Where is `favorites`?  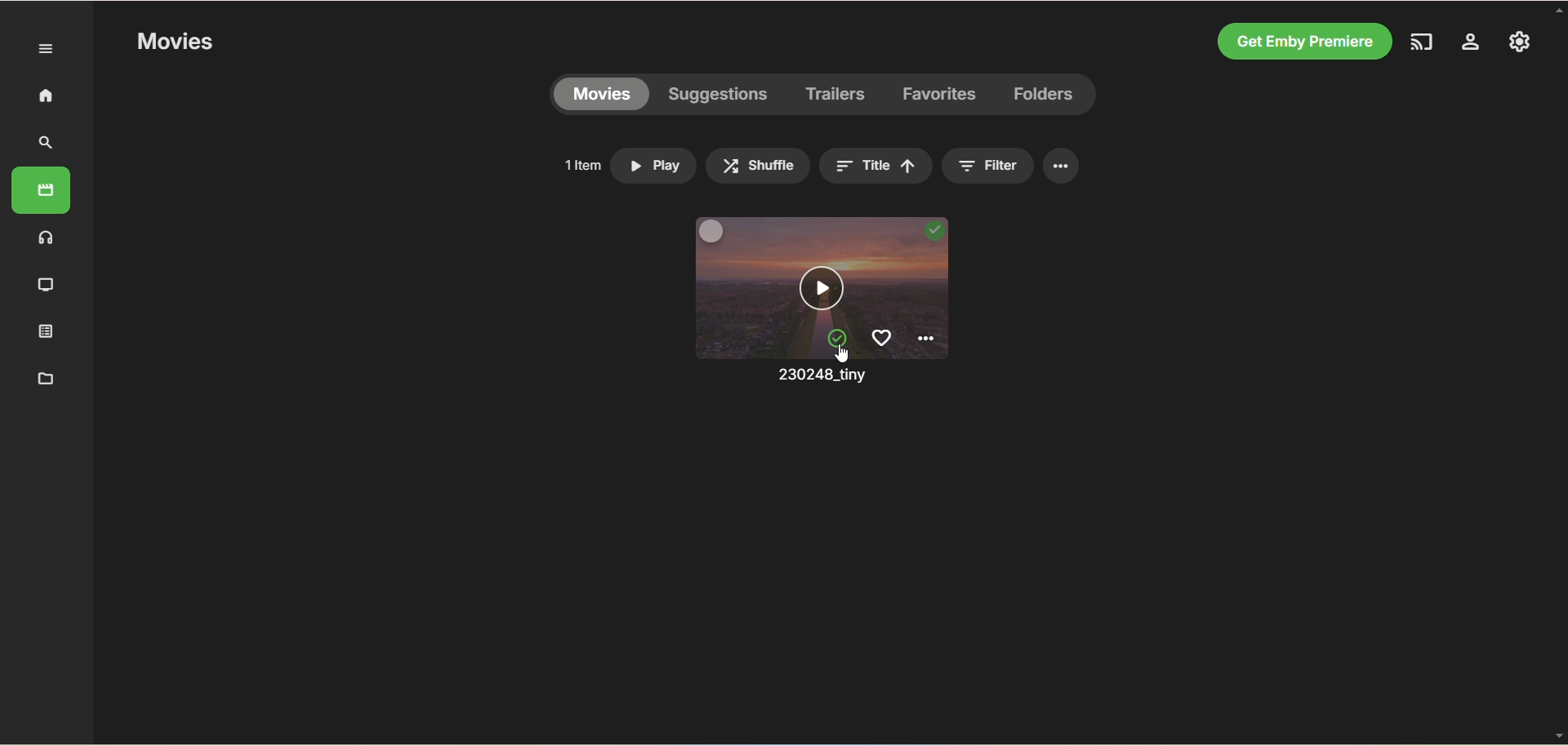
favorites is located at coordinates (942, 99).